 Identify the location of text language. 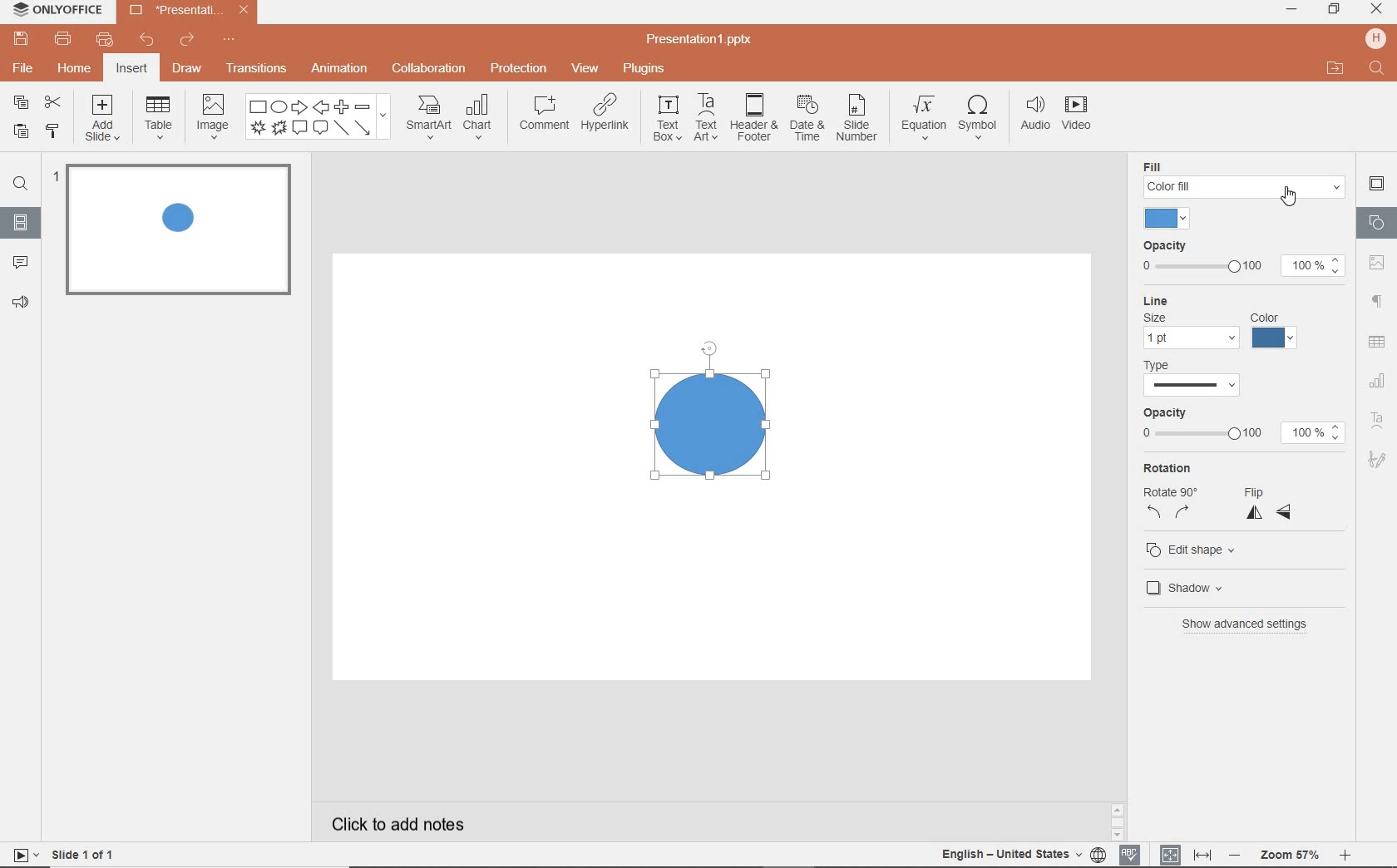
(1013, 856).